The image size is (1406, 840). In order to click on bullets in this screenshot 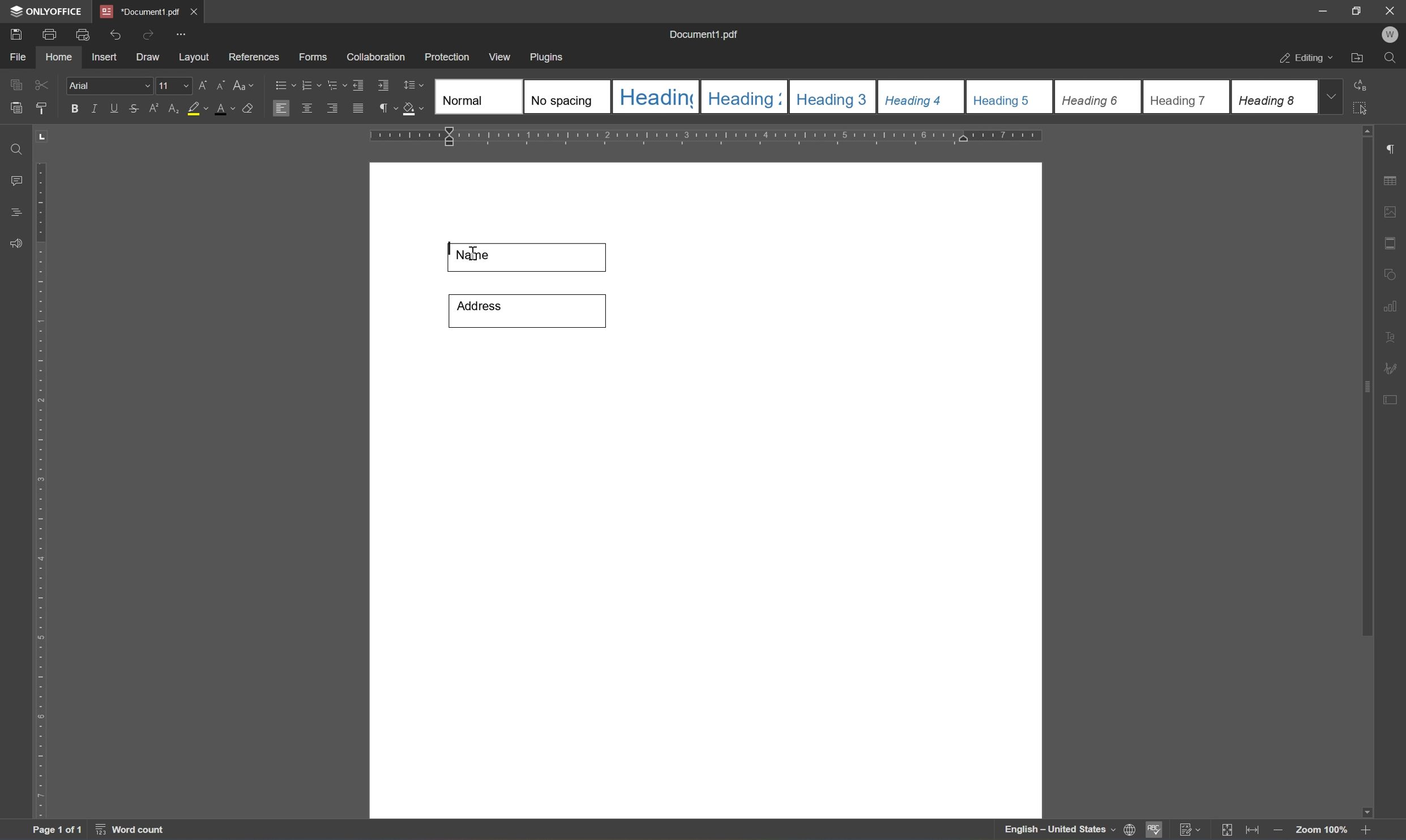, I will do `click(282, 84)`.